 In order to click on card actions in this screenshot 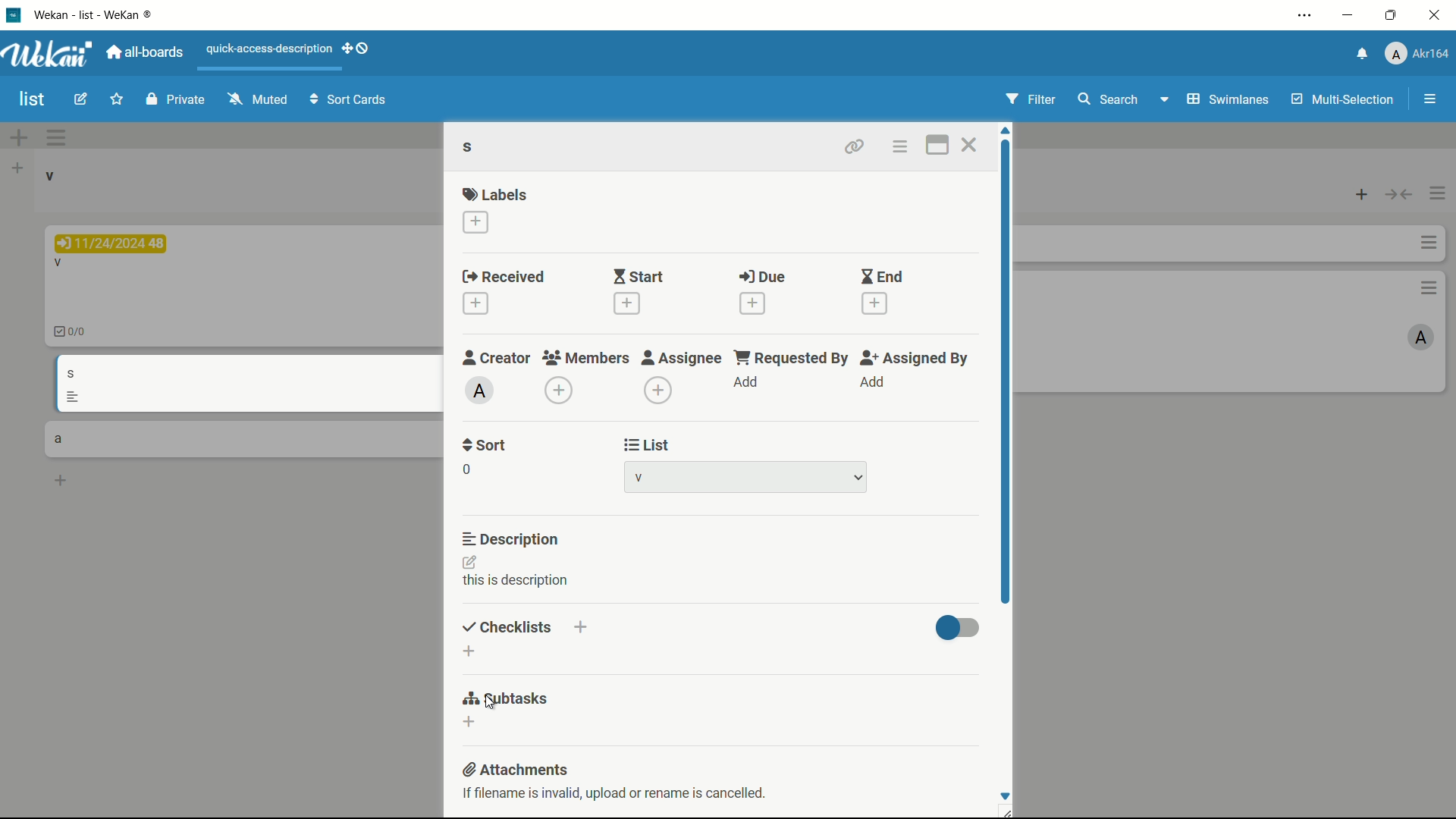, I will do `click(899, 146)`.